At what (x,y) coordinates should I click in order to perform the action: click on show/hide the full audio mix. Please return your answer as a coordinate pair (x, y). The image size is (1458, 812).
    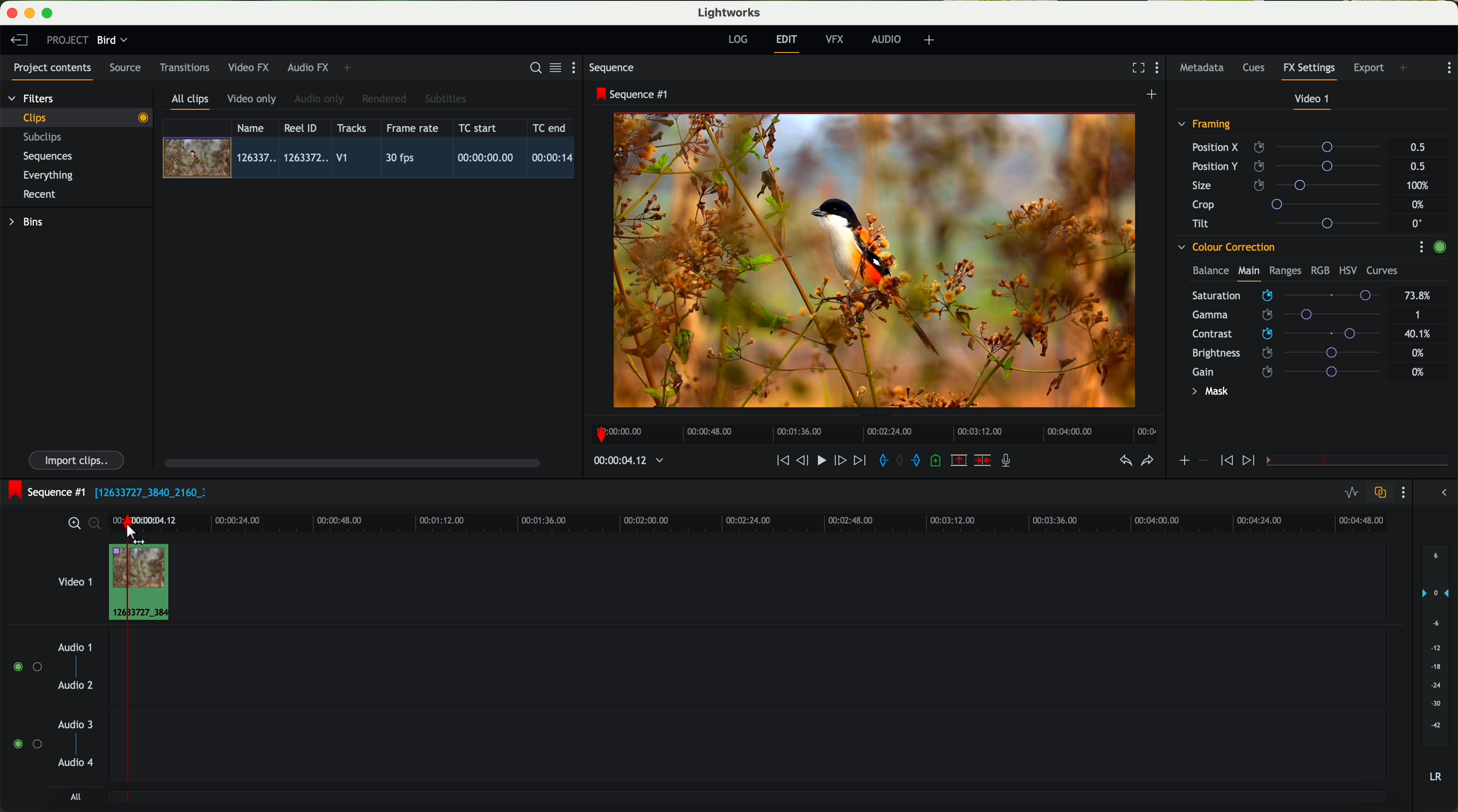
    Looking at the image, I should click on (1440, 493).